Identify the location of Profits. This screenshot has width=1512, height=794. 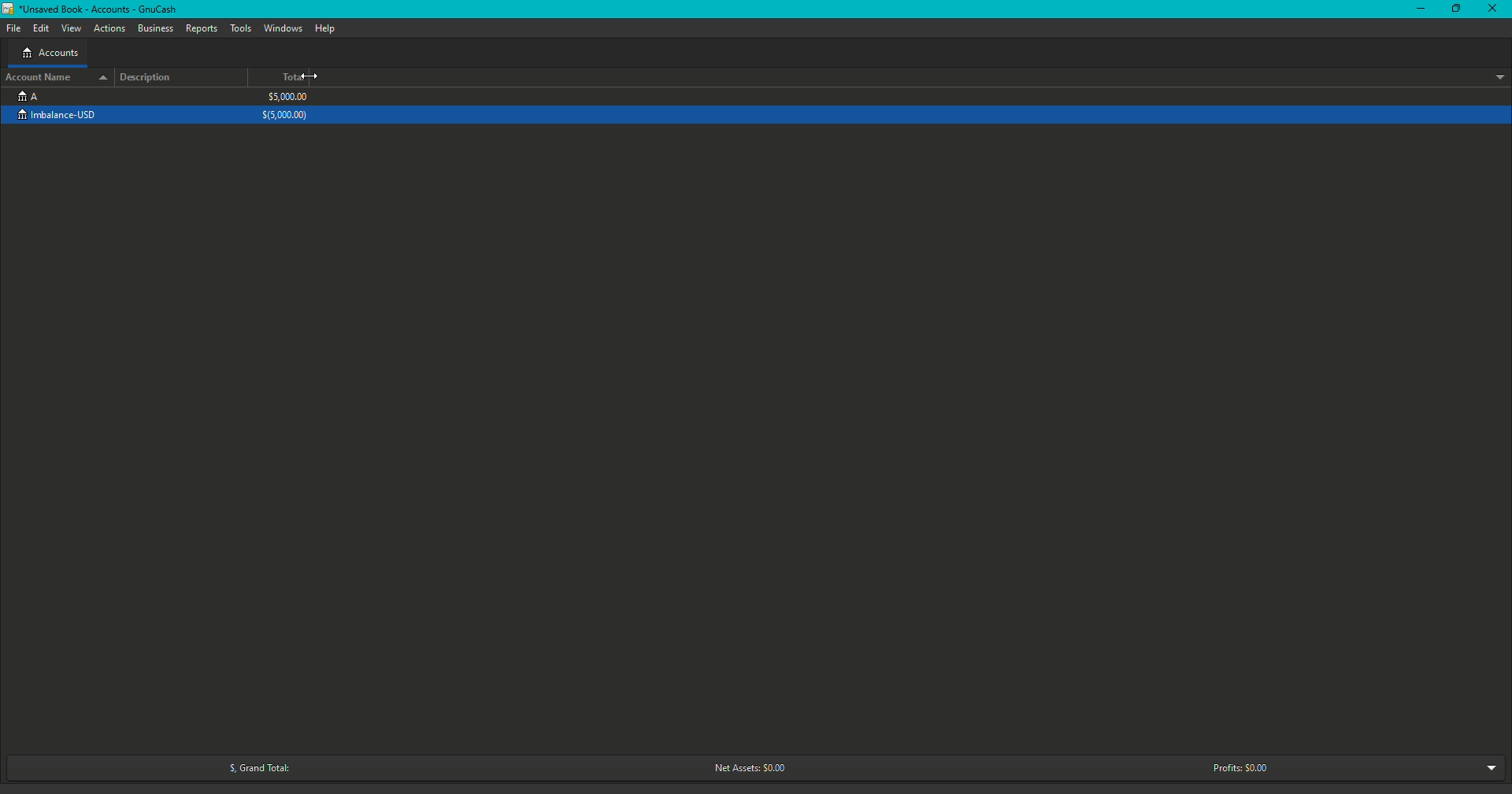
(1240, 767).